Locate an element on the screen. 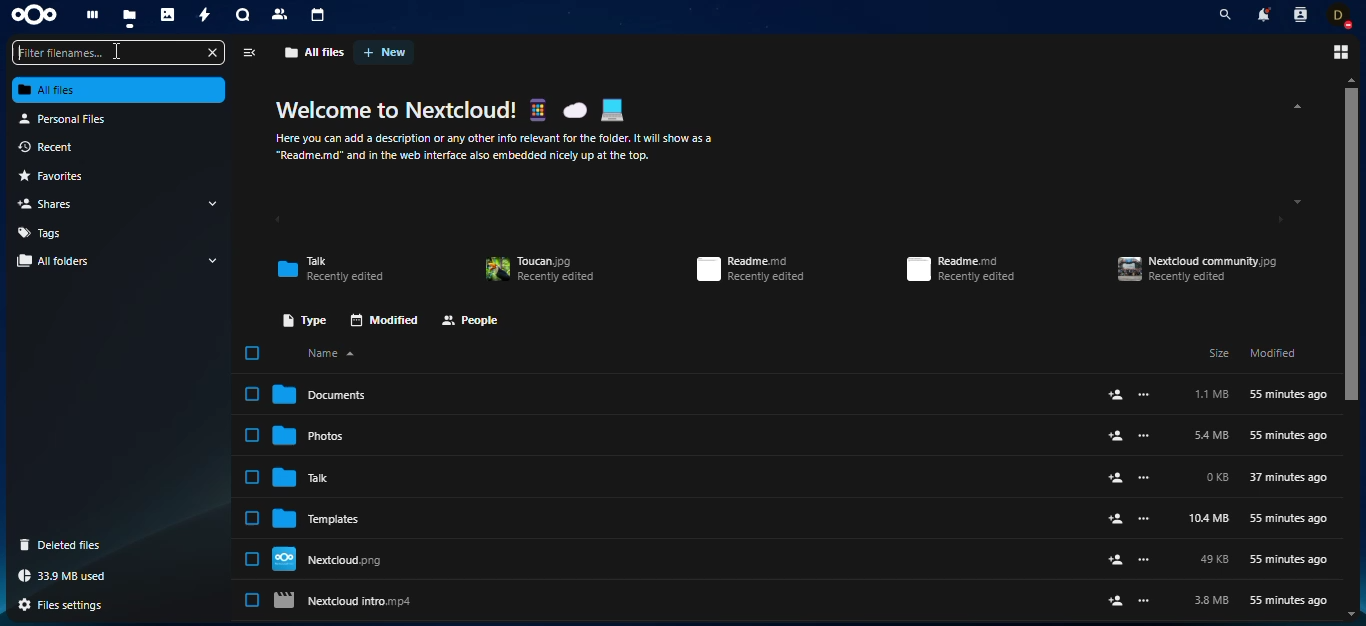 This screenshot has height=626, width=1366. add is located at coordinates (1116, 560).